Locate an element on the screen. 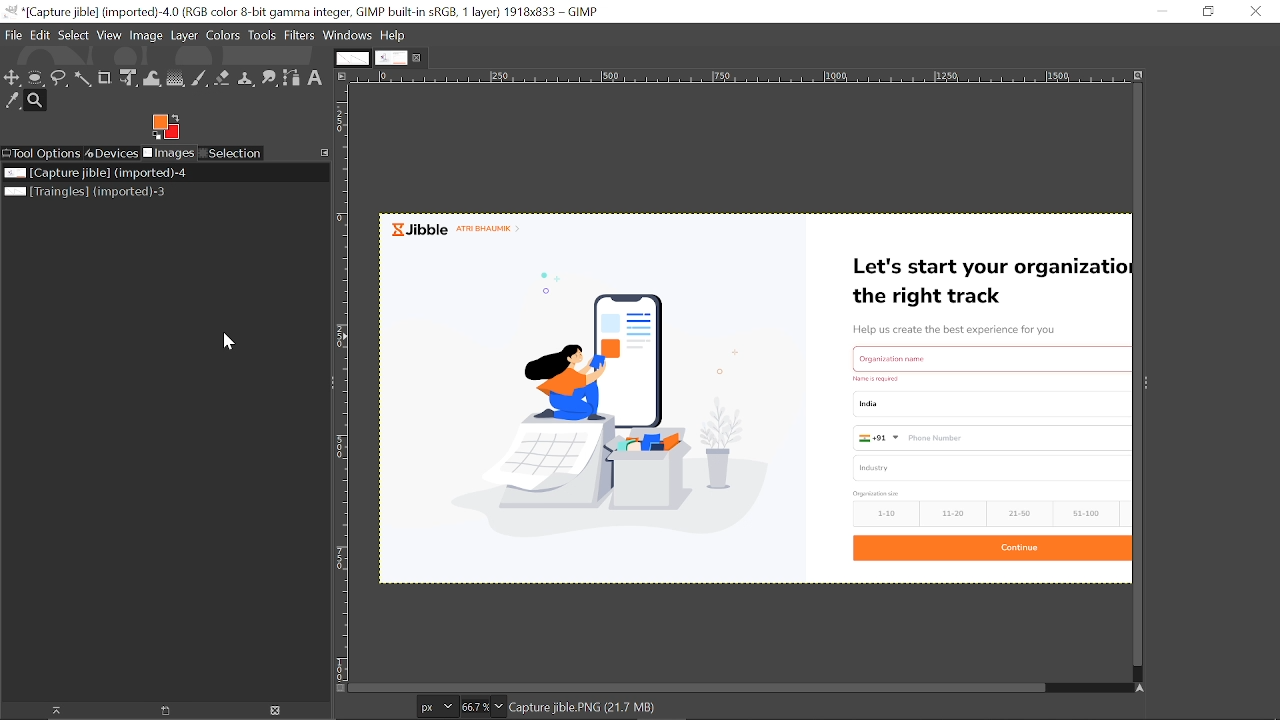 The height and width of the screenshot is (720, 1280). Configure this tab is located at coordinates (322, 153).